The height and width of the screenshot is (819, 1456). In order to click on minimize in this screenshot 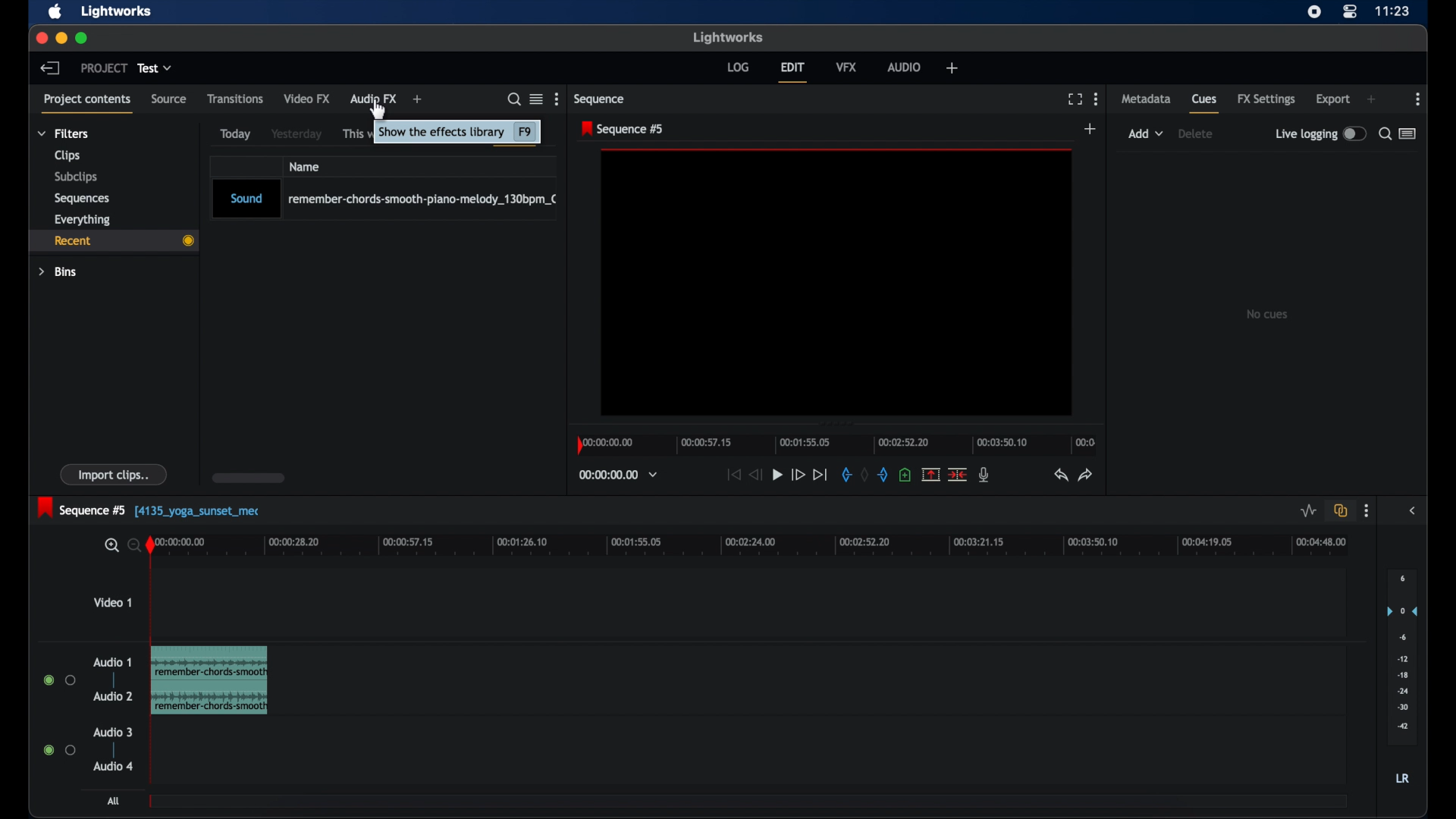, I will do `click(61, 39)`.